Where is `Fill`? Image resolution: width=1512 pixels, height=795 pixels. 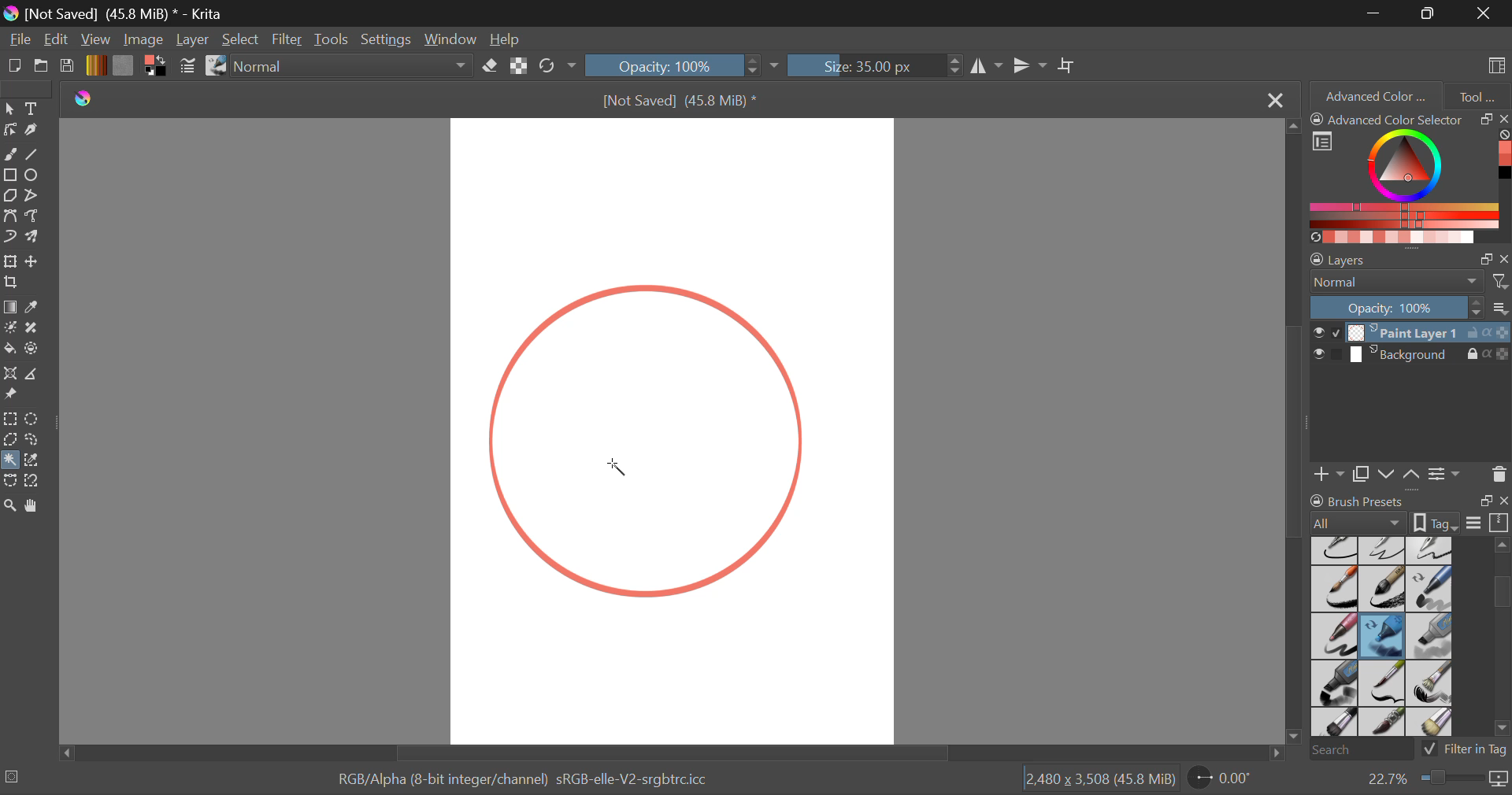
Fill is located at coordinates (9, 346).